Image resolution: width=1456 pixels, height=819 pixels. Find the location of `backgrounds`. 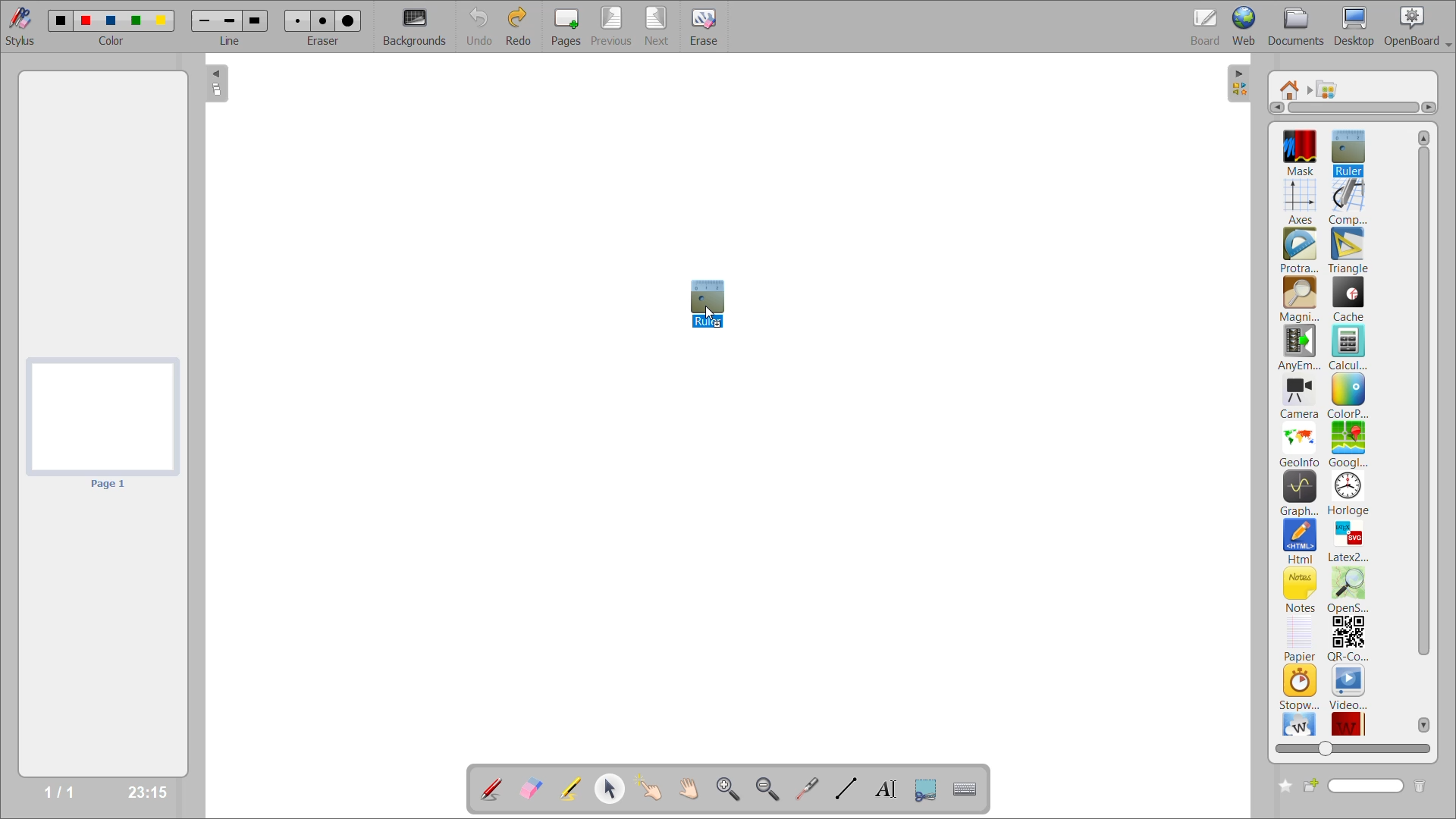

backgrounds is located at coordinates (417, 27).